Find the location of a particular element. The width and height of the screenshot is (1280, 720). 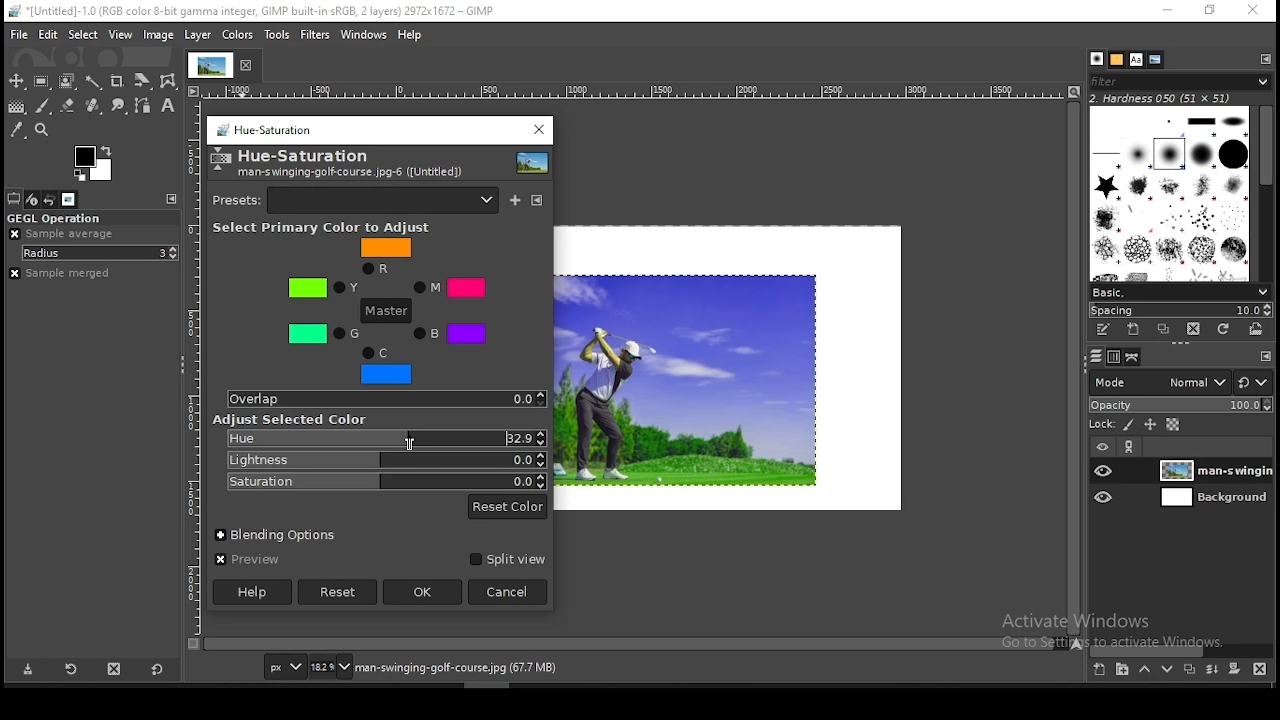

zoom status is located at coordinates (331, 667).